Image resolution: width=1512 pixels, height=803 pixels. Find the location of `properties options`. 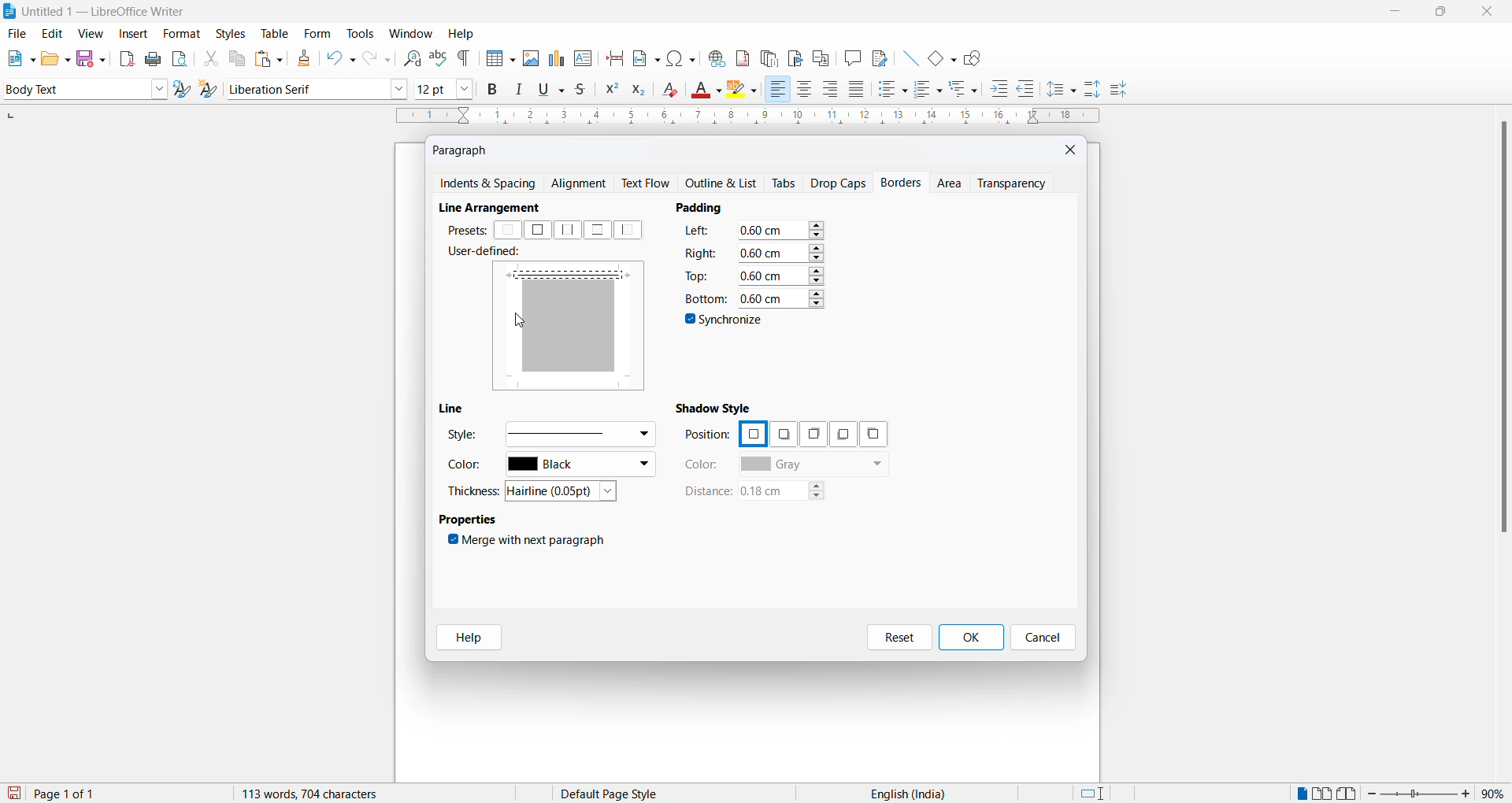

properties options is located at coordinates (469, 521).